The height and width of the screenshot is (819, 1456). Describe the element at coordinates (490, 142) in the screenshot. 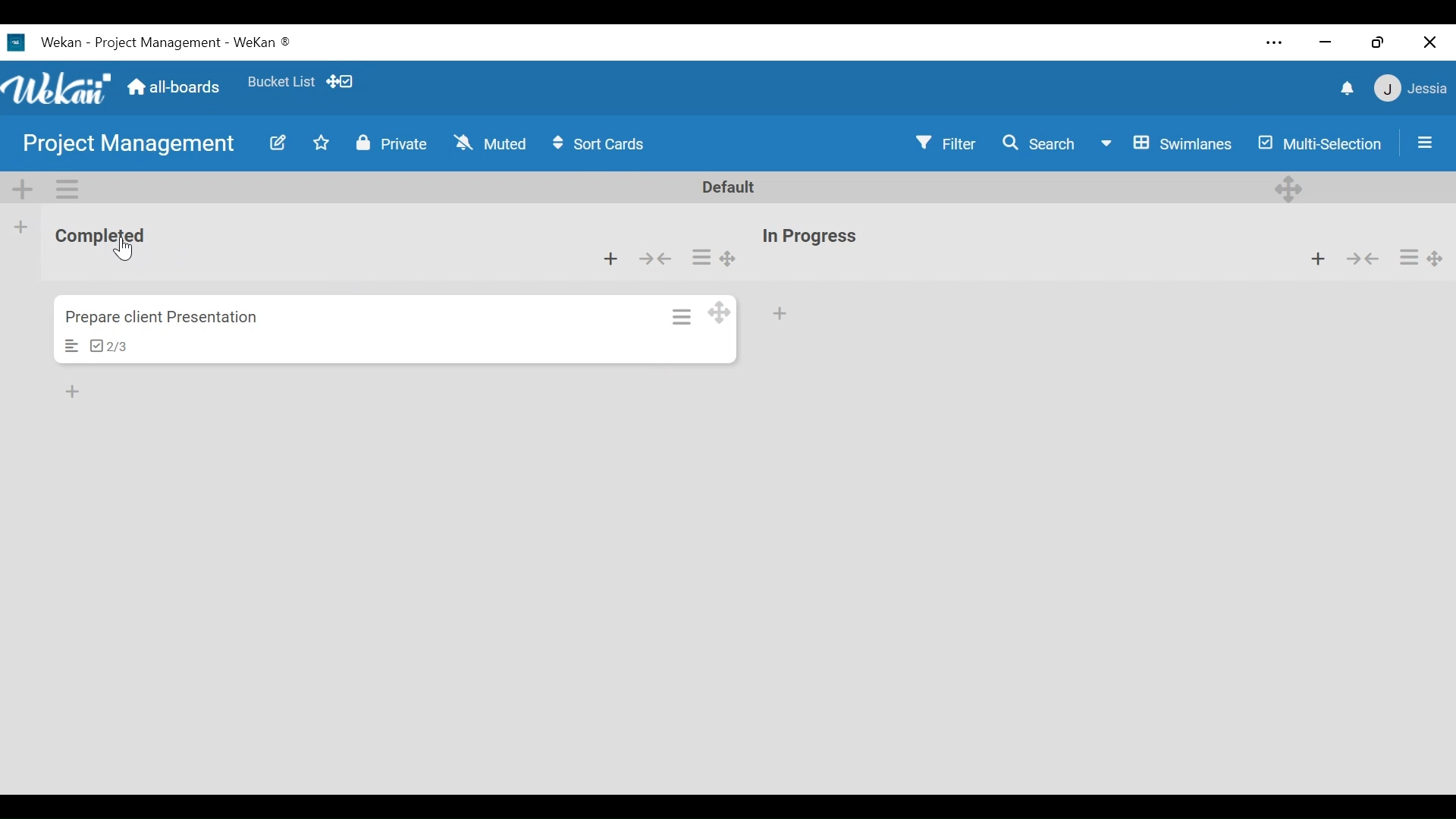

I see `Muted` at that location.